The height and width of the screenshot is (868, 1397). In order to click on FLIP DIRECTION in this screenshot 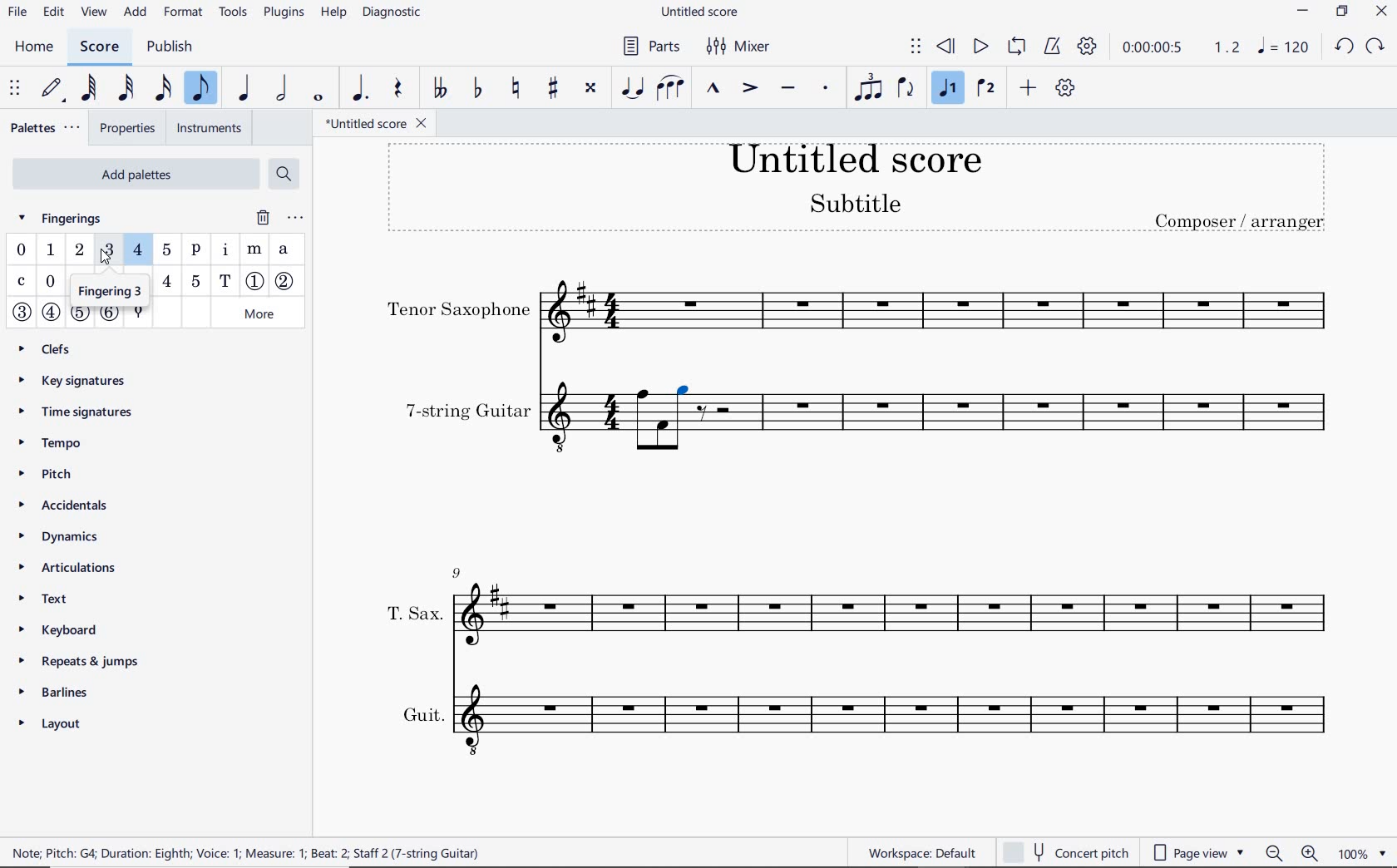, I will do `click(906, 88)`.